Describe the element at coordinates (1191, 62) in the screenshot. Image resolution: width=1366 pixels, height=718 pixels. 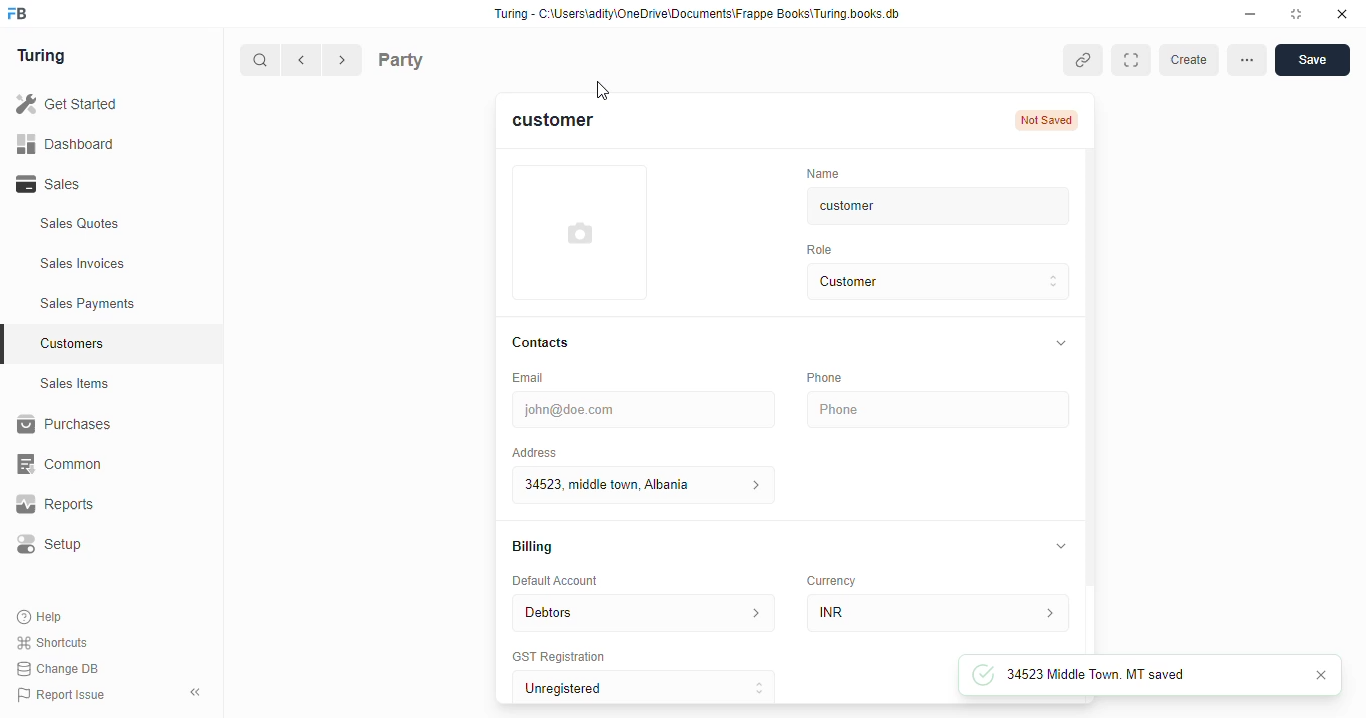
I see `create` at that location.